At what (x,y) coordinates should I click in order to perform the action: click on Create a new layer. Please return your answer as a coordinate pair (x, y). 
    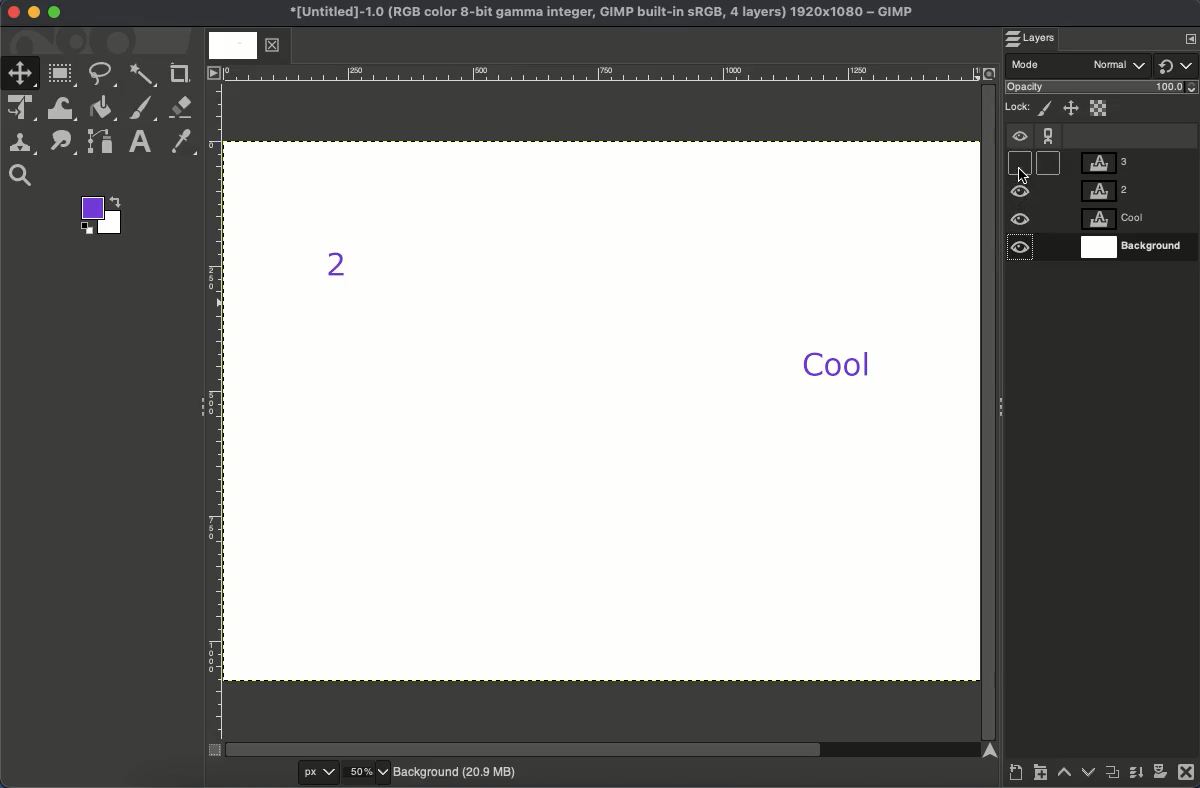
    Looking at the image, I should click on (1015, 775).